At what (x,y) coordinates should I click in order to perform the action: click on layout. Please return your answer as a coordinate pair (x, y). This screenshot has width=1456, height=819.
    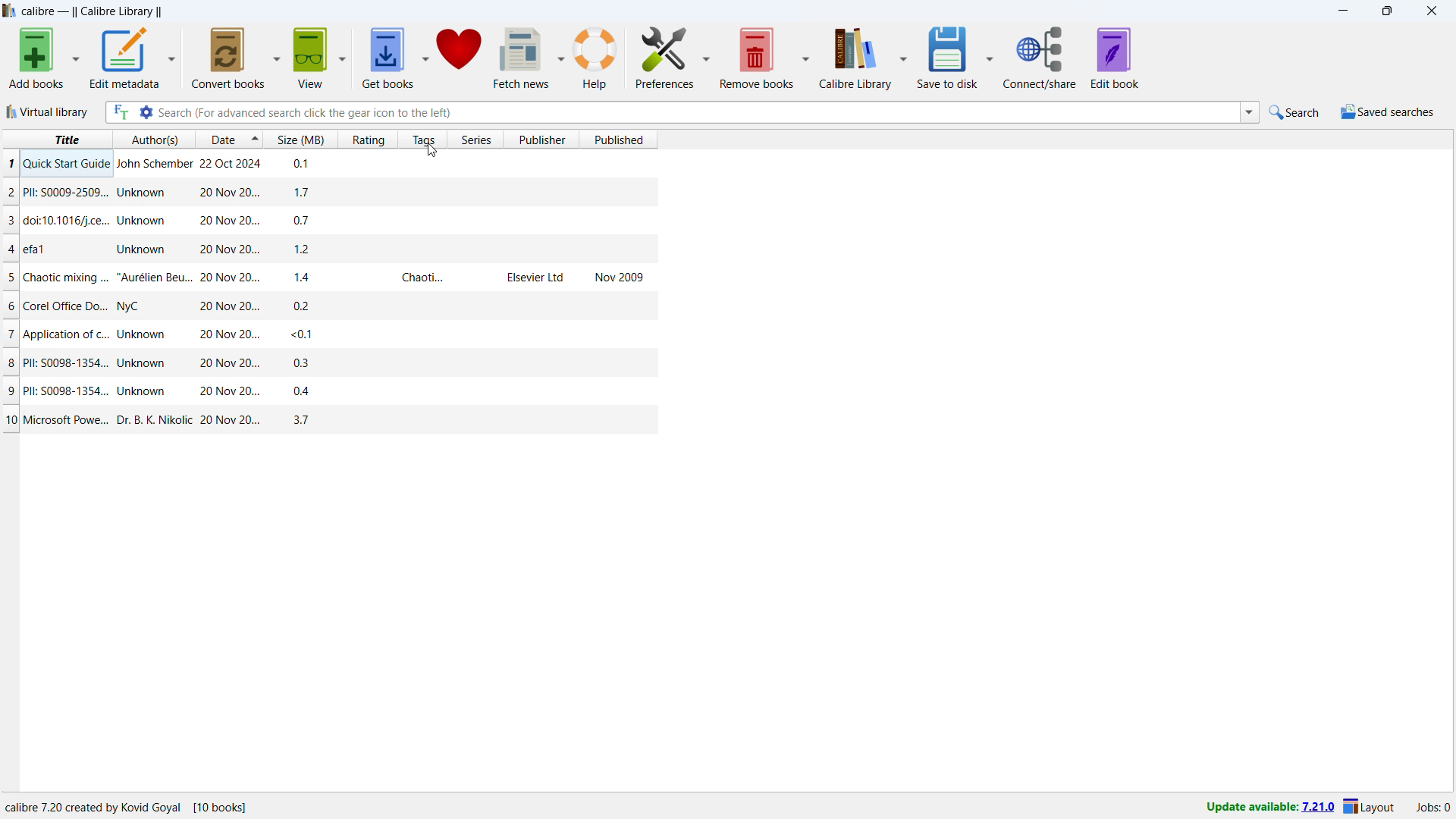
    Looking at the image, I should click on (1371, 808).